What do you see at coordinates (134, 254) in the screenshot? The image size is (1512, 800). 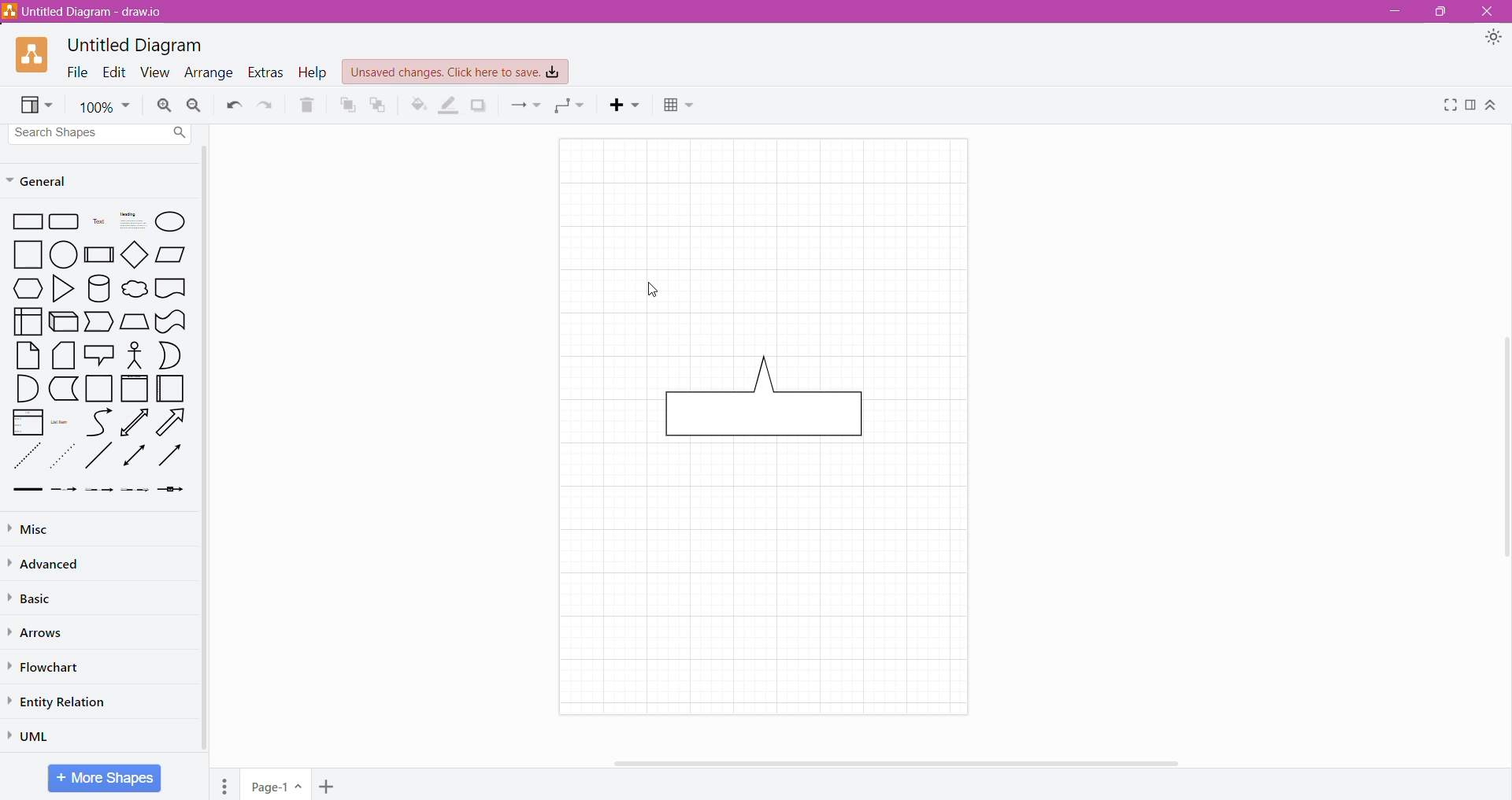 I see `diamond` at bounding box center [134, 254].